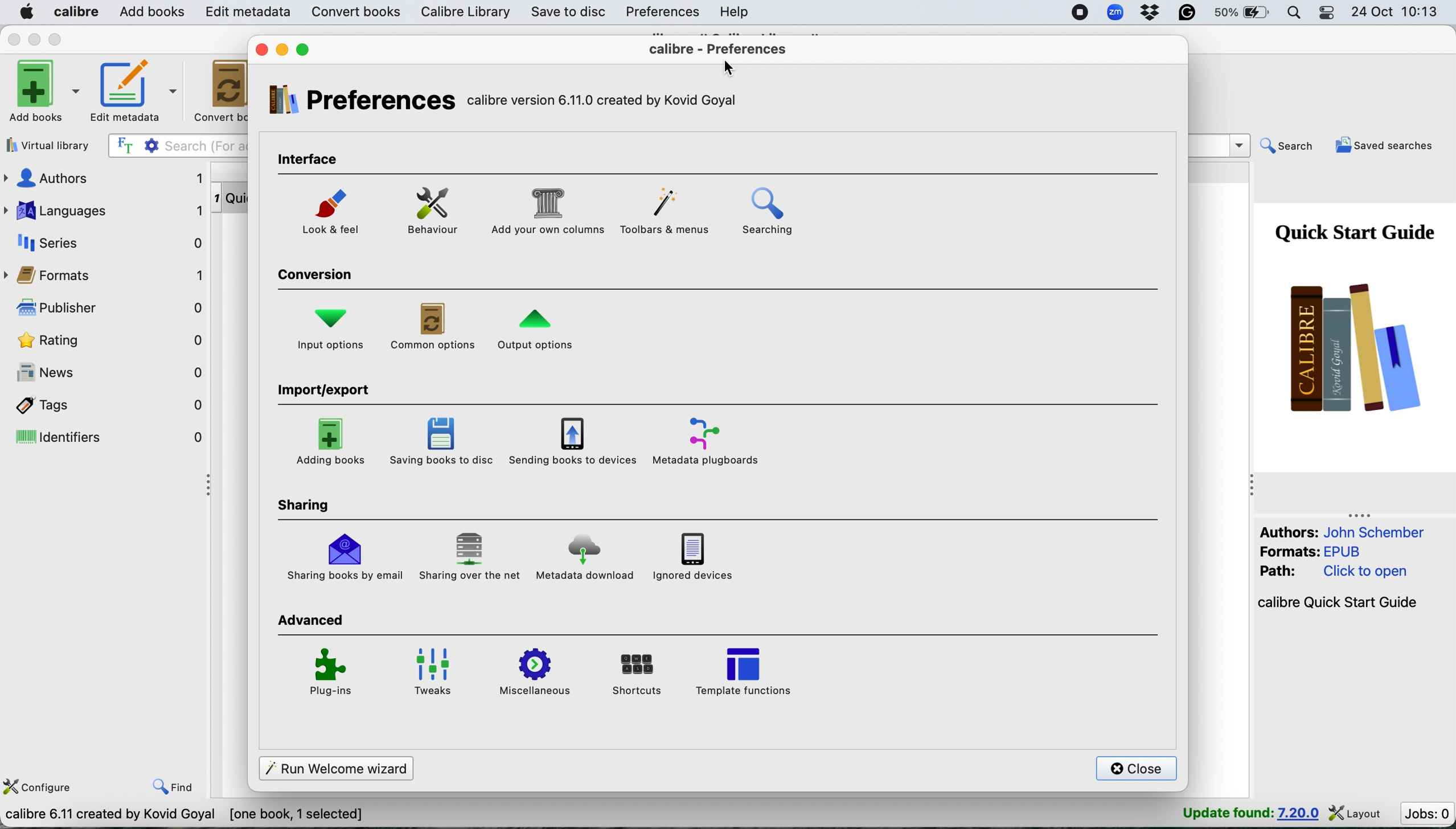 Image resolution: width=1456 pixels, height=829 pixels. What do you see at coordinates (151, 13) in the screenshot?
I see `add books` at bounding box center [151, 13].